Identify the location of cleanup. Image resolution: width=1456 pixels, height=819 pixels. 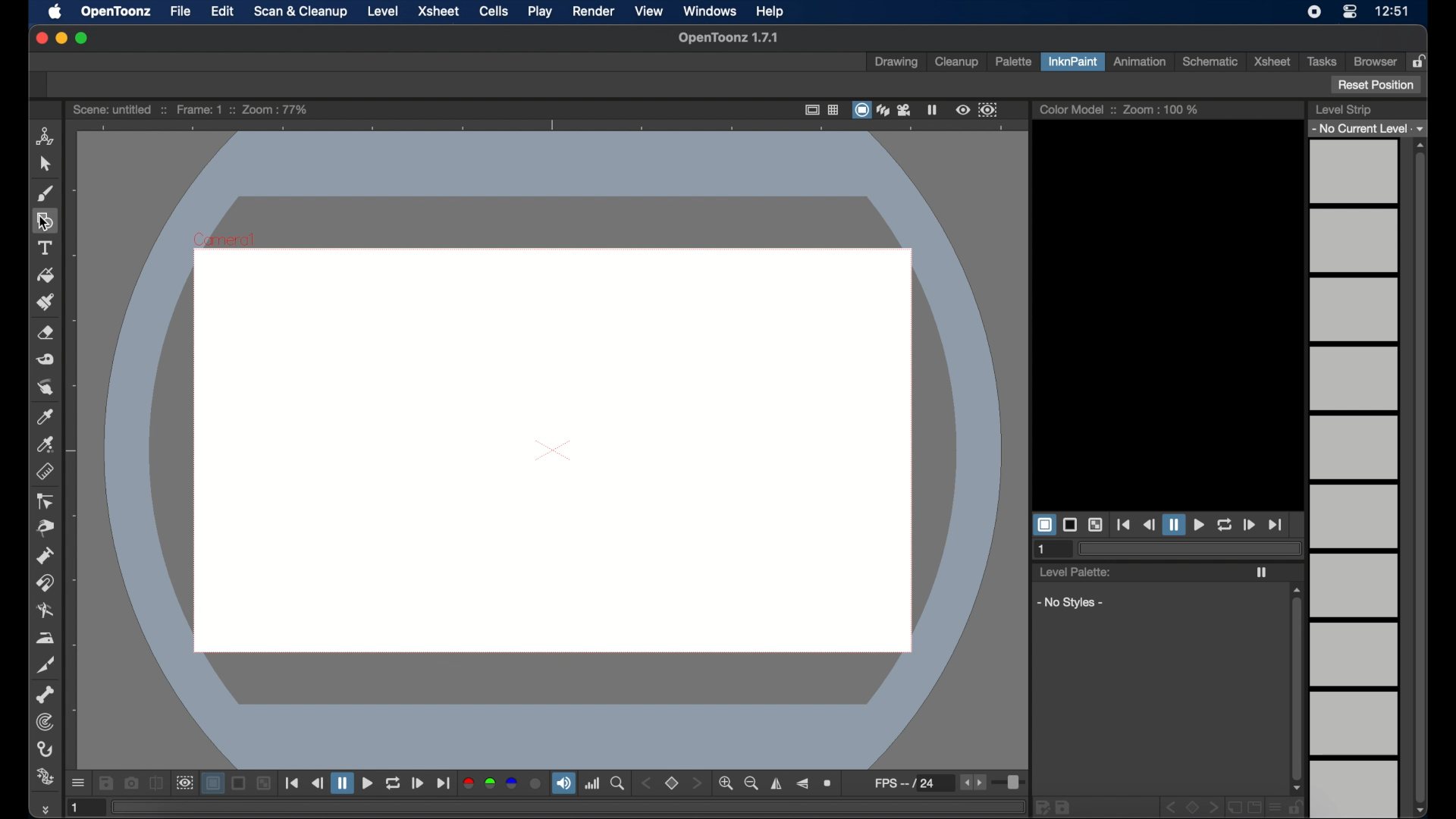
(959, 61).